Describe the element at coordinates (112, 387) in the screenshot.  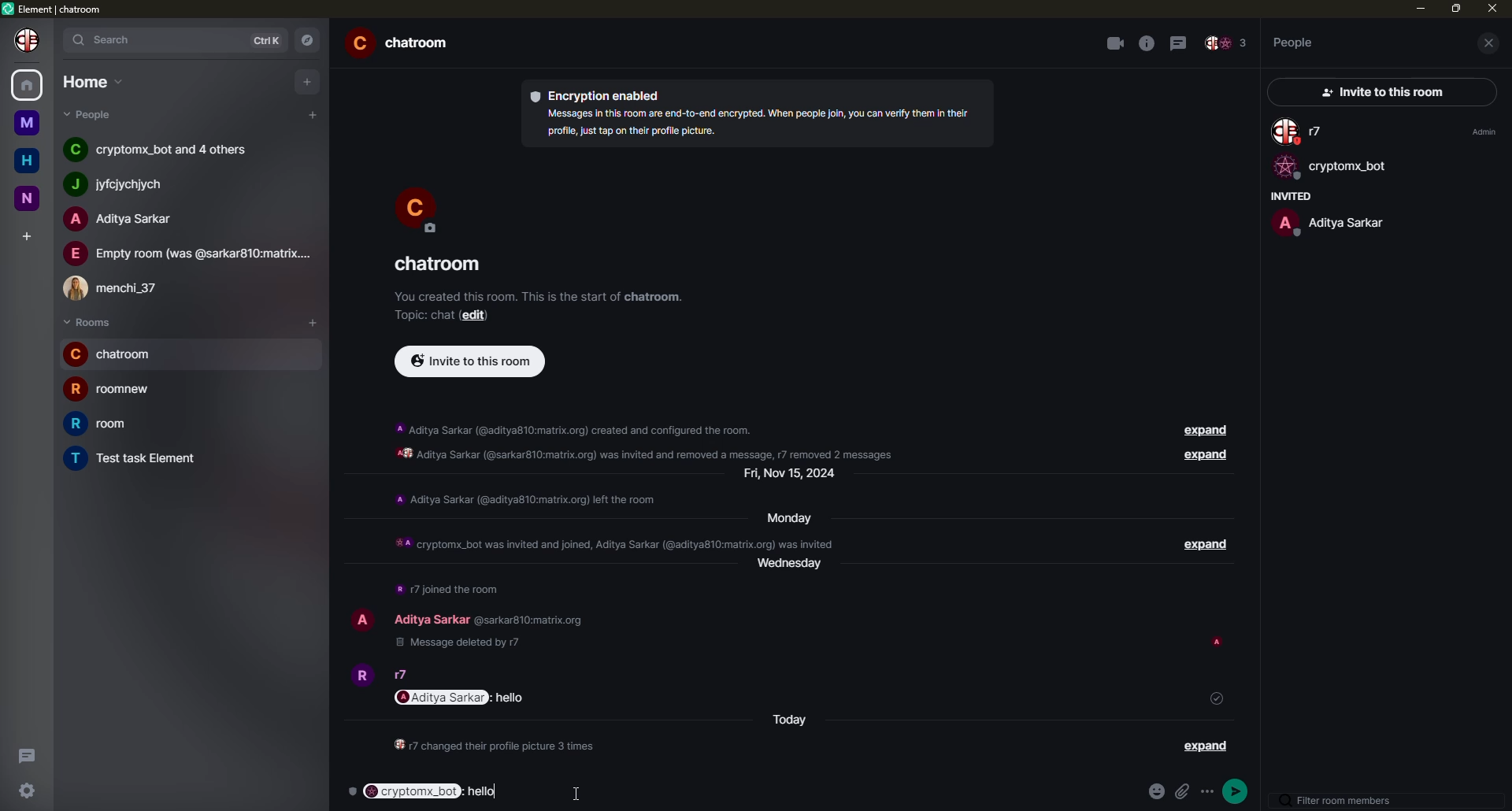
I see `room` at that location.